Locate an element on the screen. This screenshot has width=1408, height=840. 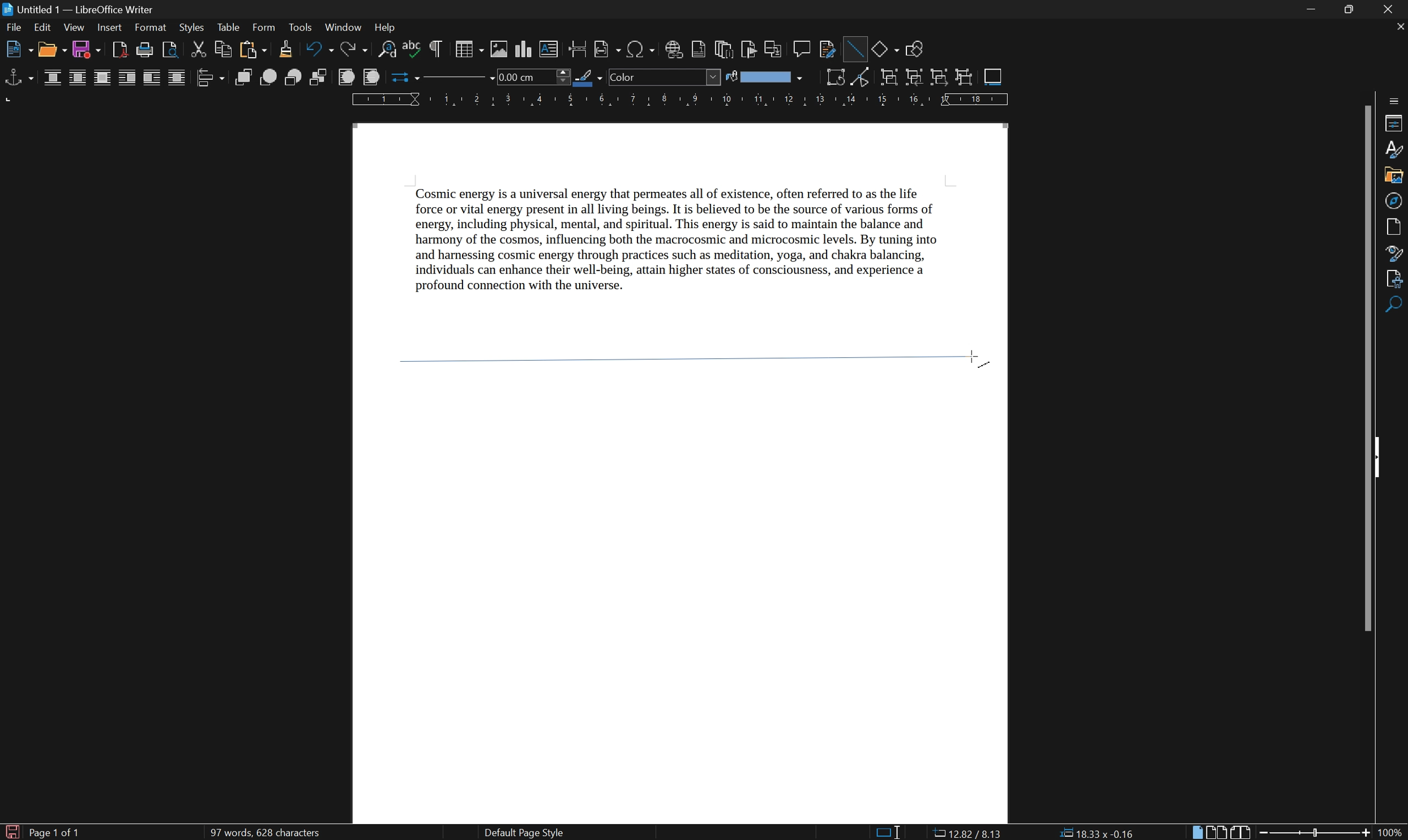
accessibility check is located at coordinates (1396, 306).